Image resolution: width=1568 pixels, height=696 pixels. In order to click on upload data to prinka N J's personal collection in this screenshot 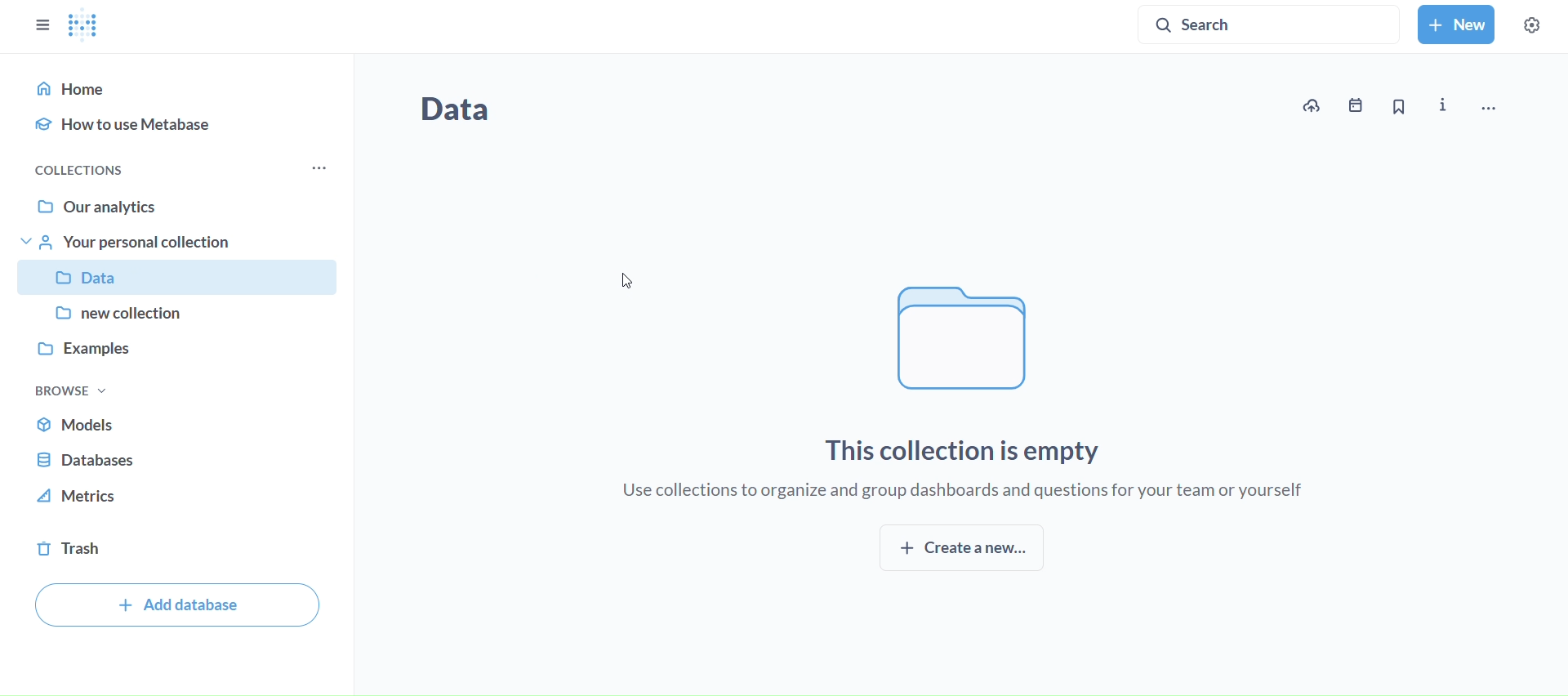, I will do `click(1316, 105)`.